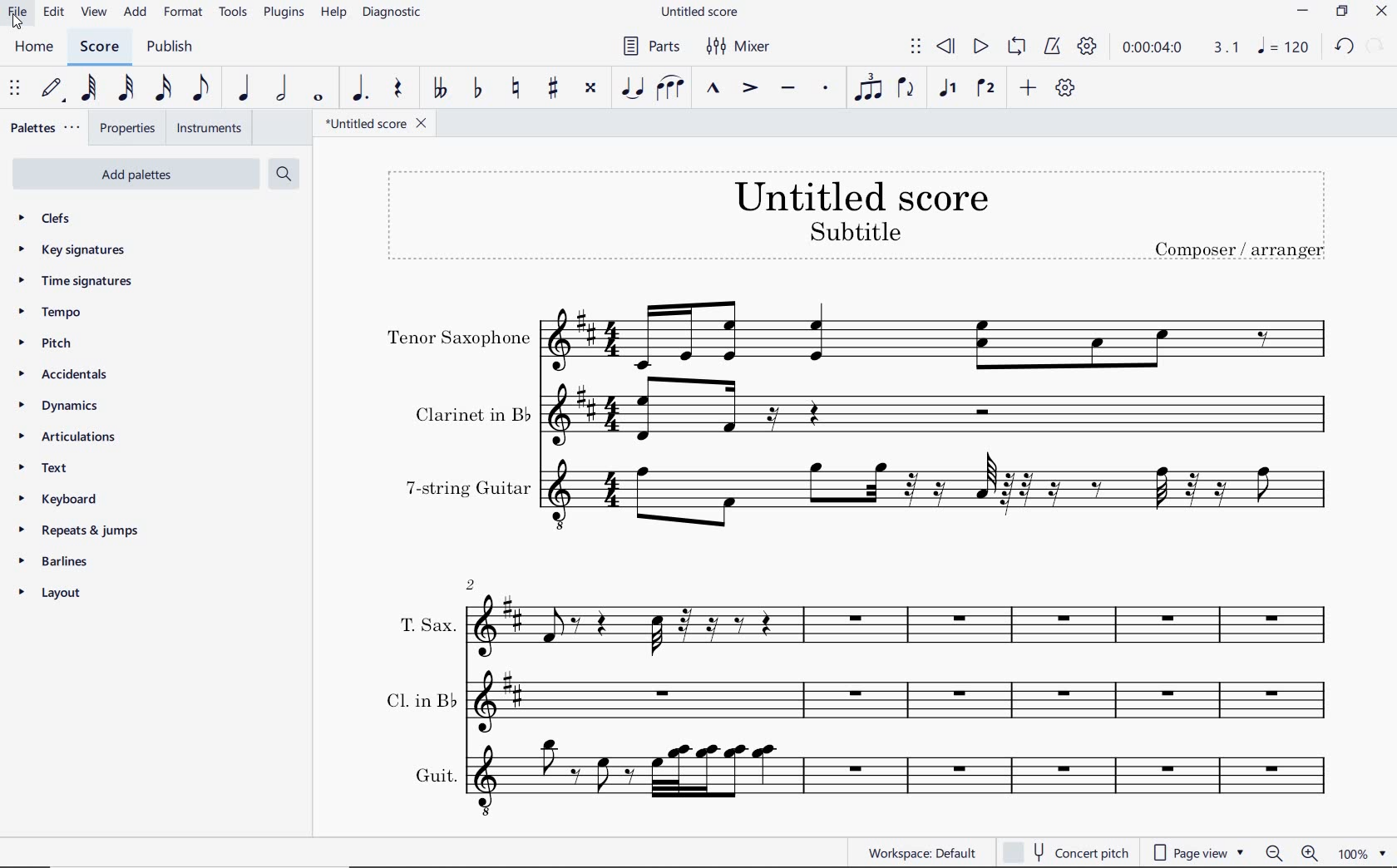 This screenshot has height=868, width=1397. Describe the element at coordinates (915, 46) in the screenshot. I see `SELECT TO MOVE` at that location.